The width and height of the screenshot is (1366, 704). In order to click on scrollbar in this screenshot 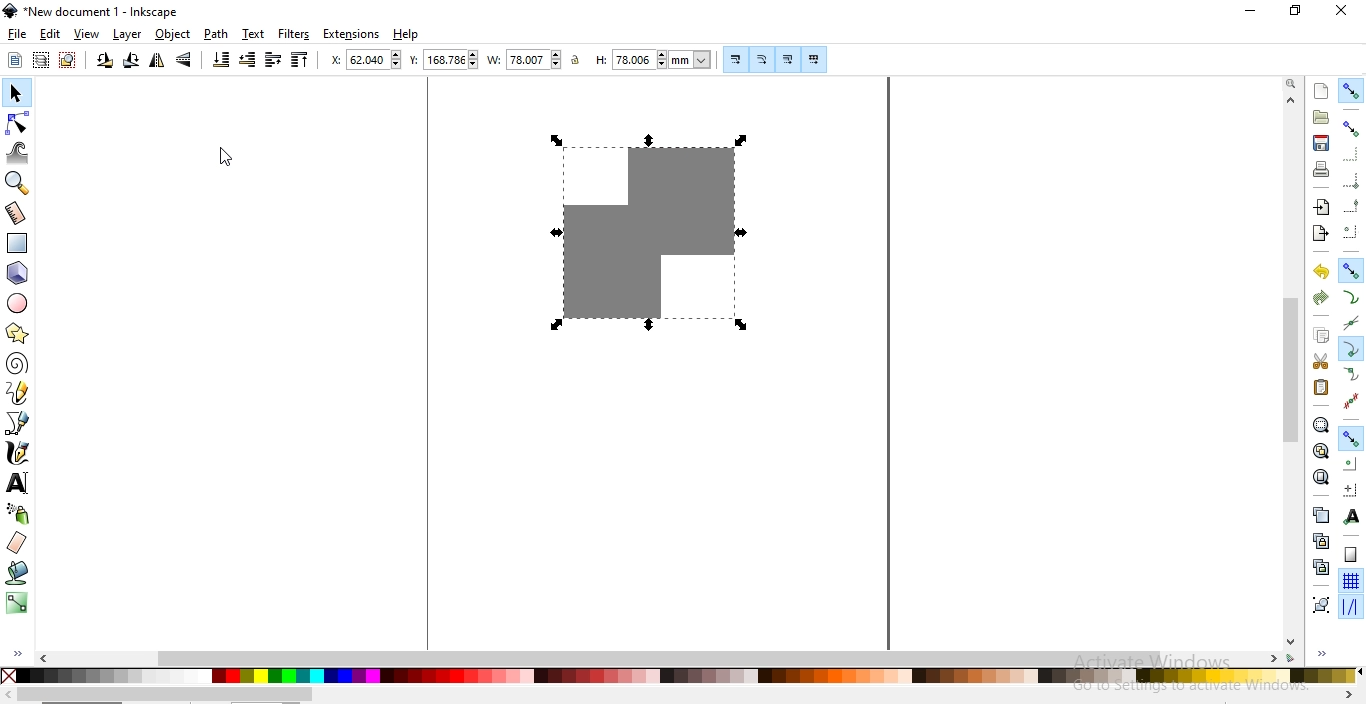, I will do `click(662, 657)`.